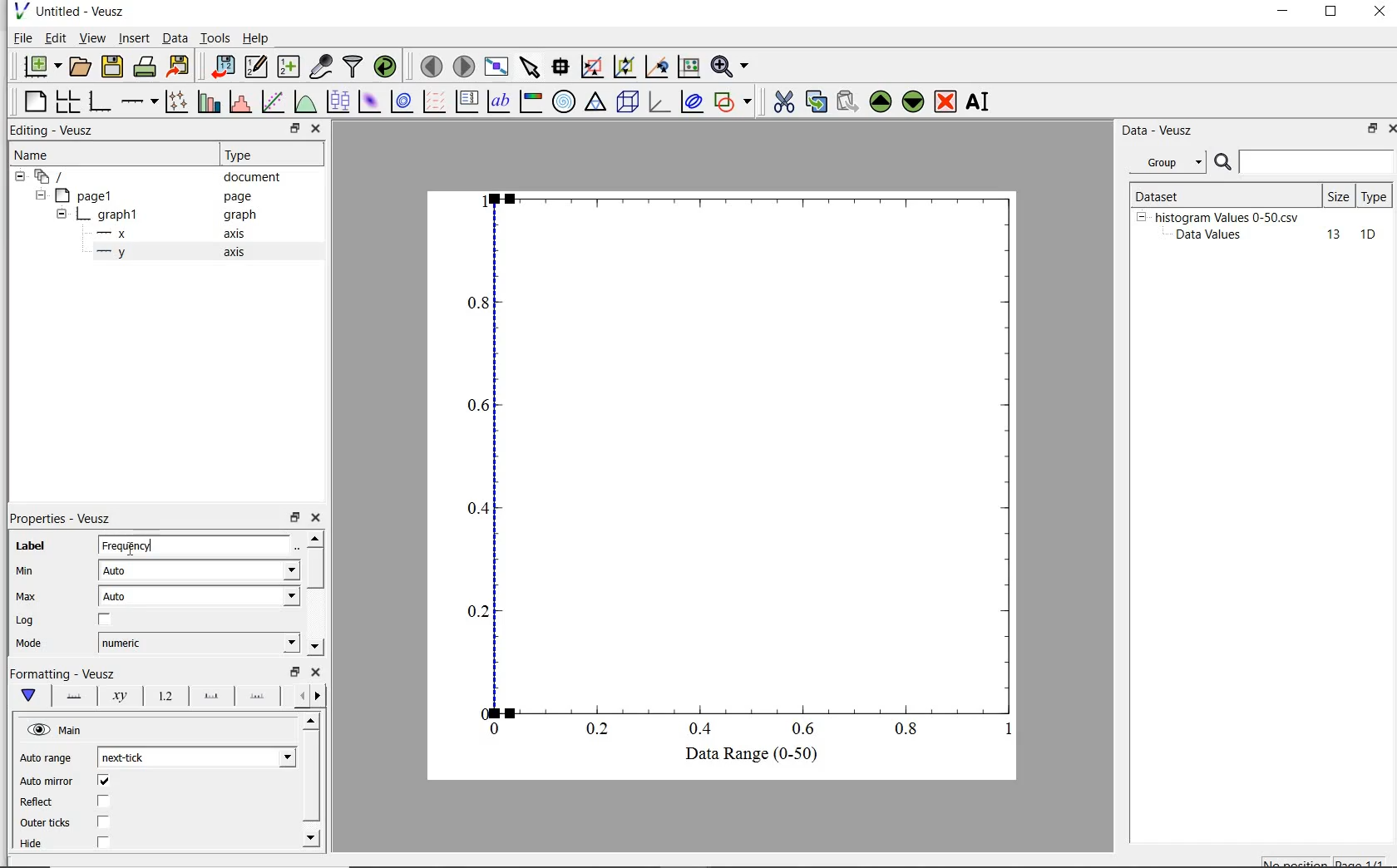  I want to click on 13, so click(1326, 235).